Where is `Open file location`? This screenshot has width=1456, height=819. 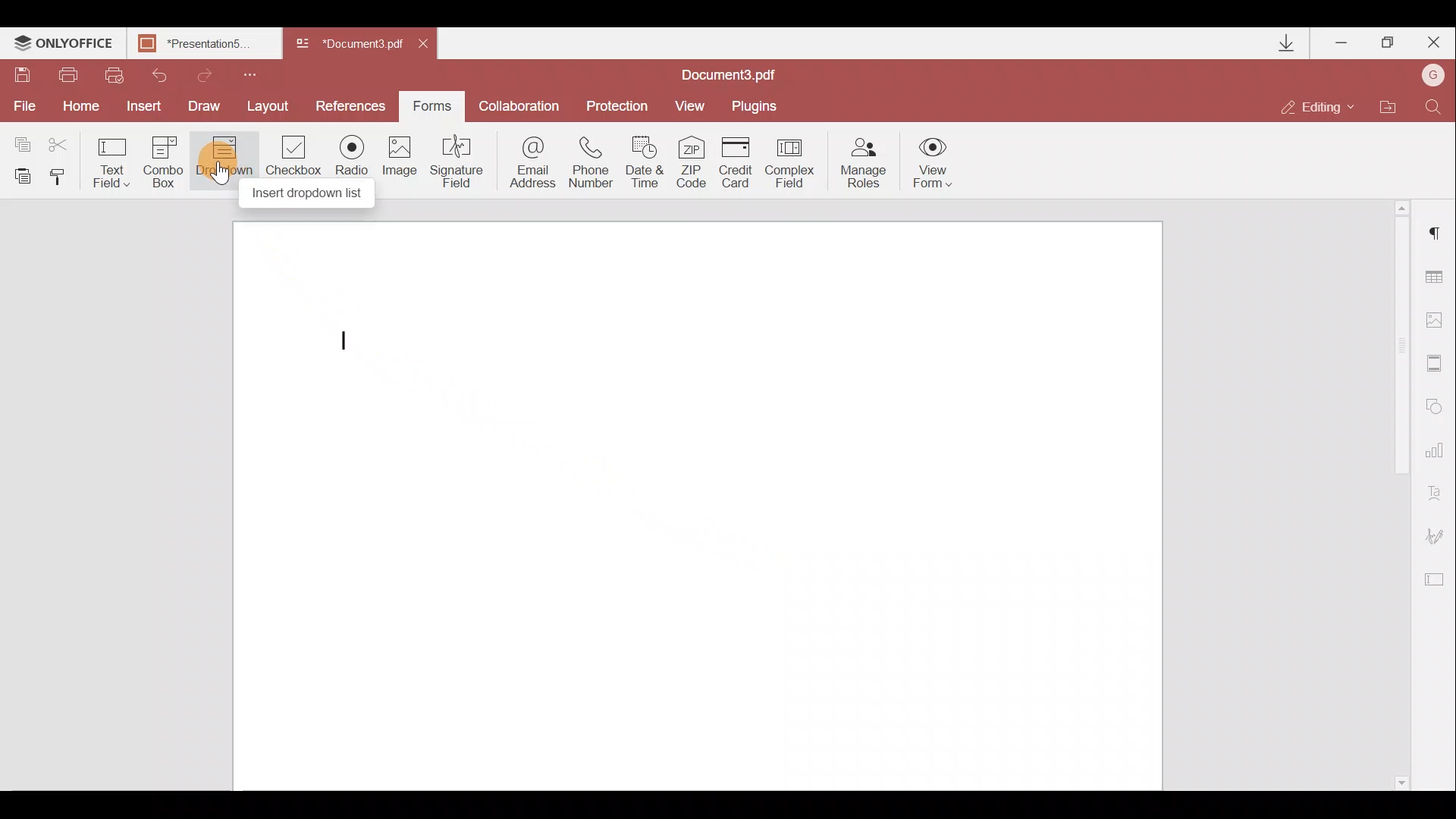
Open file location is located at coordinates (1389, 106).